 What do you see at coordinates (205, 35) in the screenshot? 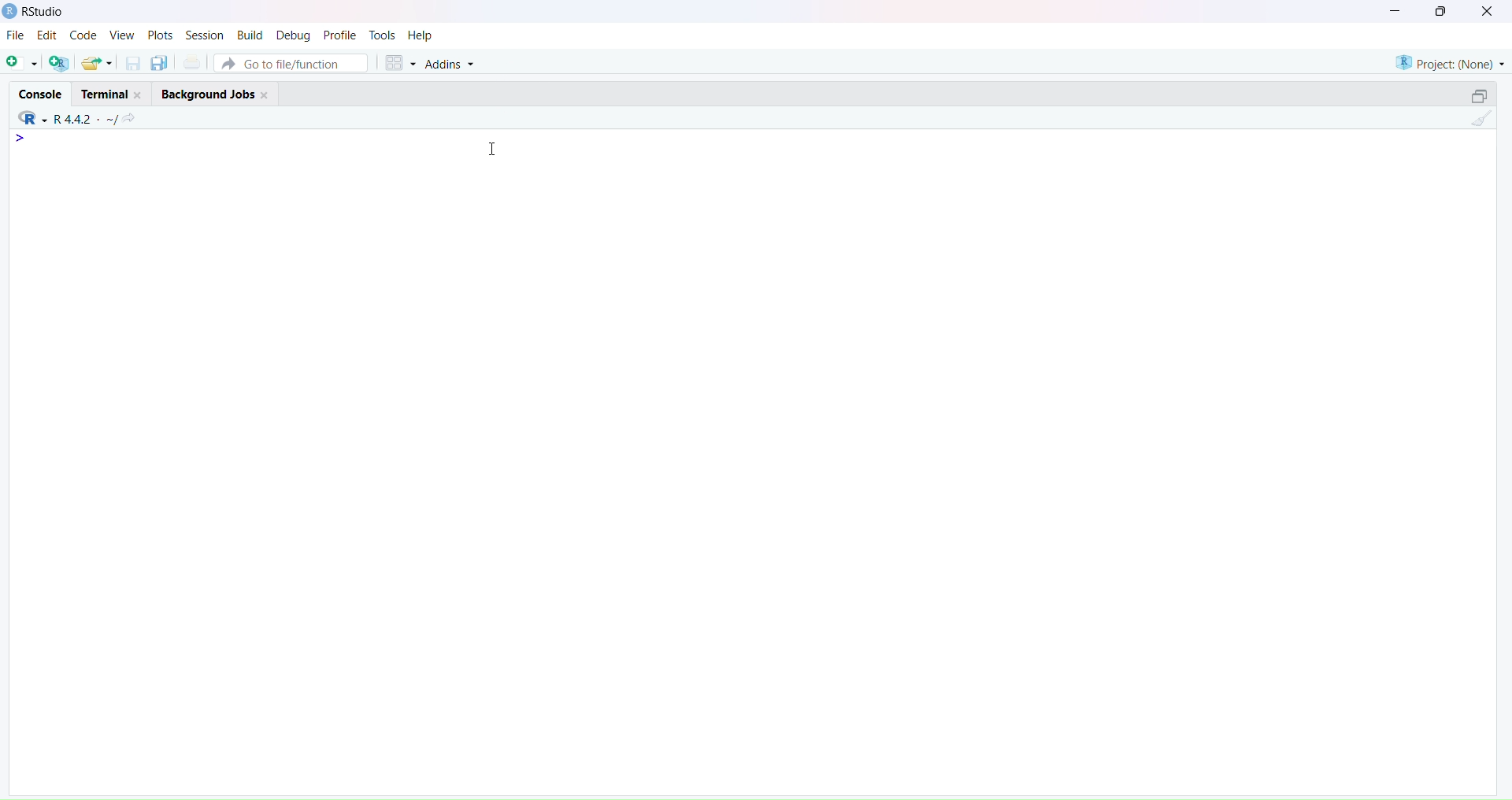
I see `session` at bounding box center [205, 35].